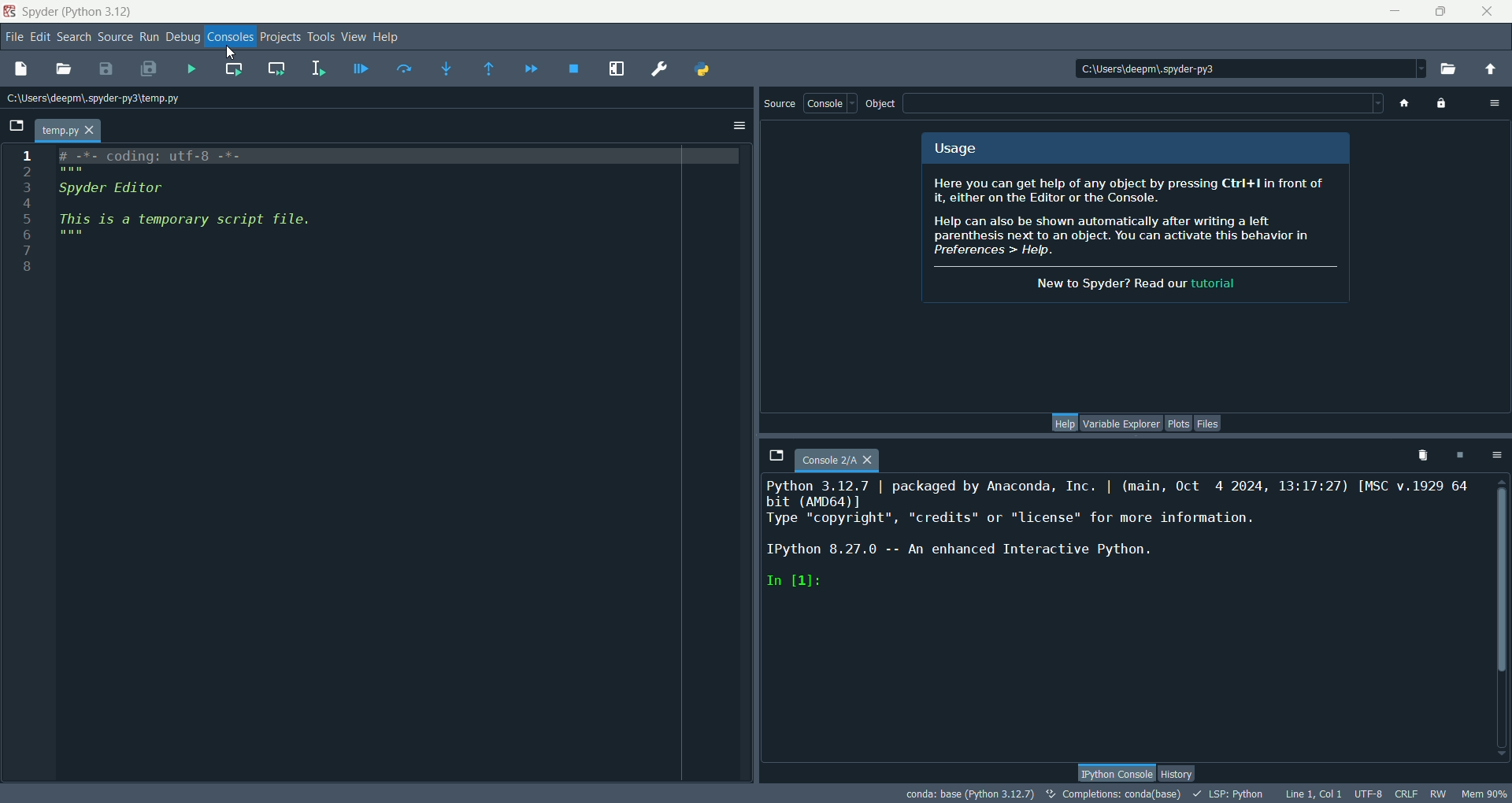 The width and height of the screenshot is (1512, 803). What do you see at coordinates (1178, 772) in the screenshot?
I see `history` at bounding box center [1178, 772].